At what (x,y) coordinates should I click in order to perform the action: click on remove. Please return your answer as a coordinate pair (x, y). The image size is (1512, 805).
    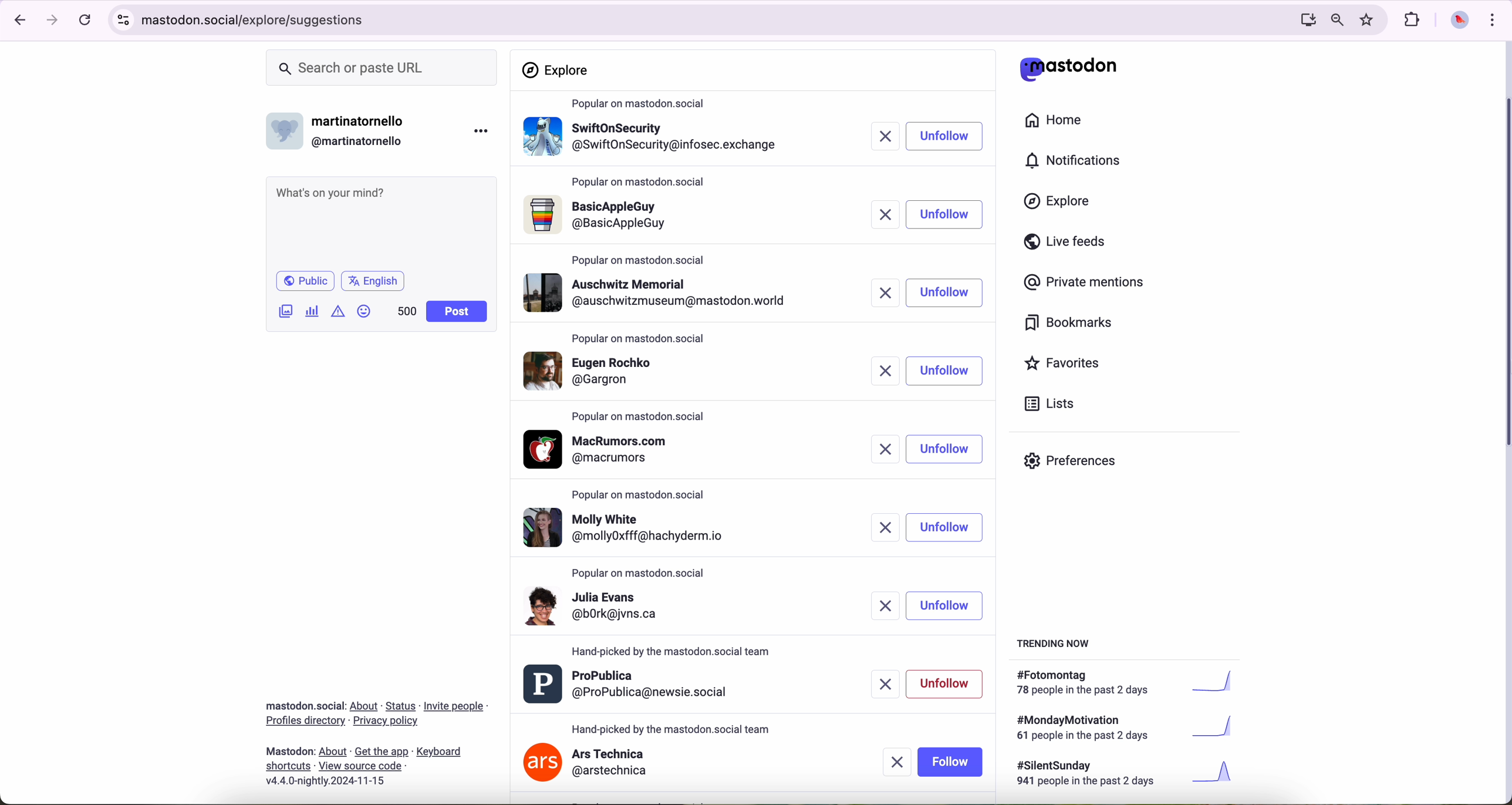
    Looking at the image, I should click on (885, 449).